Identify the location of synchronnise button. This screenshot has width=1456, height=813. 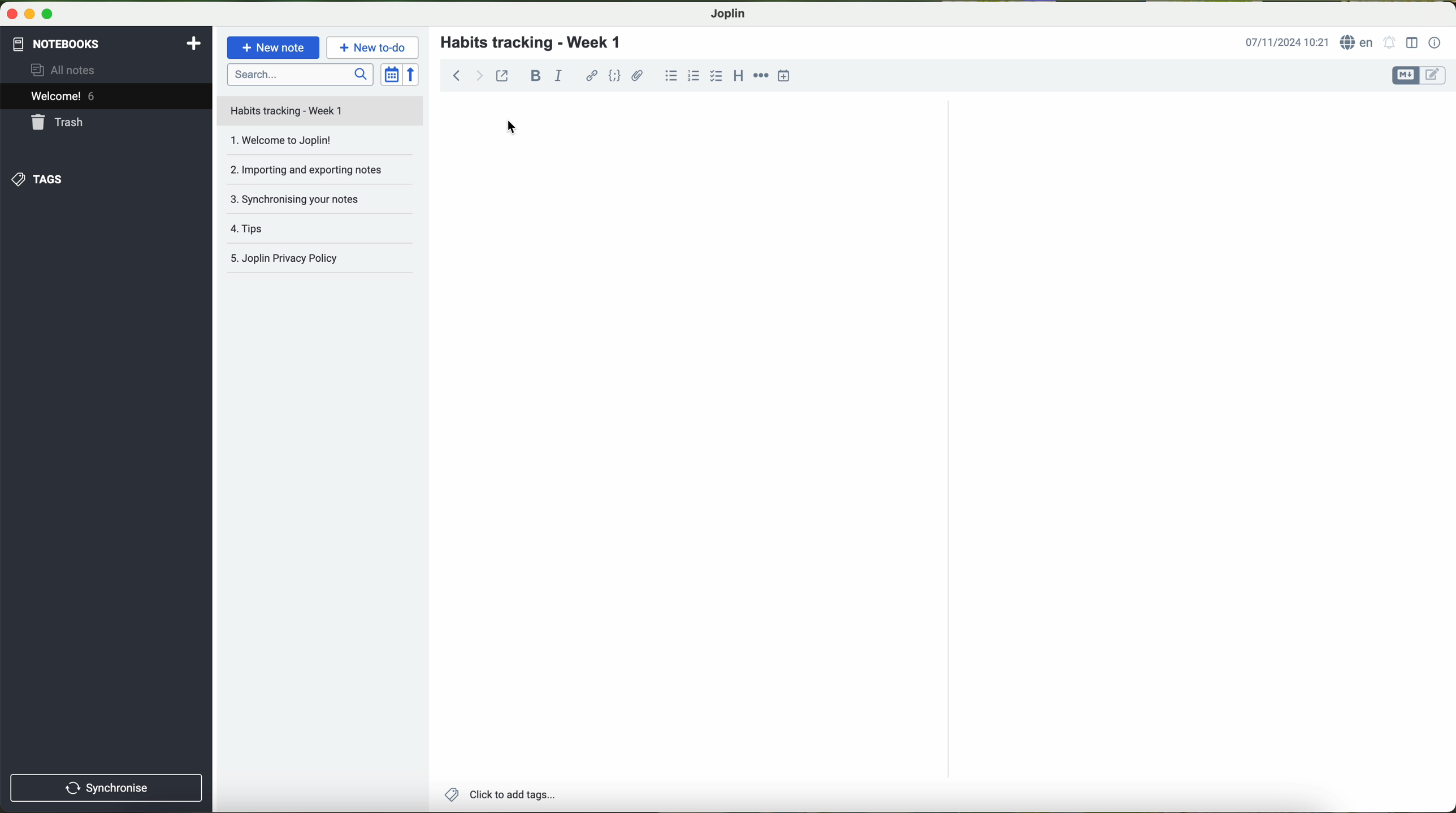
(105, 789).